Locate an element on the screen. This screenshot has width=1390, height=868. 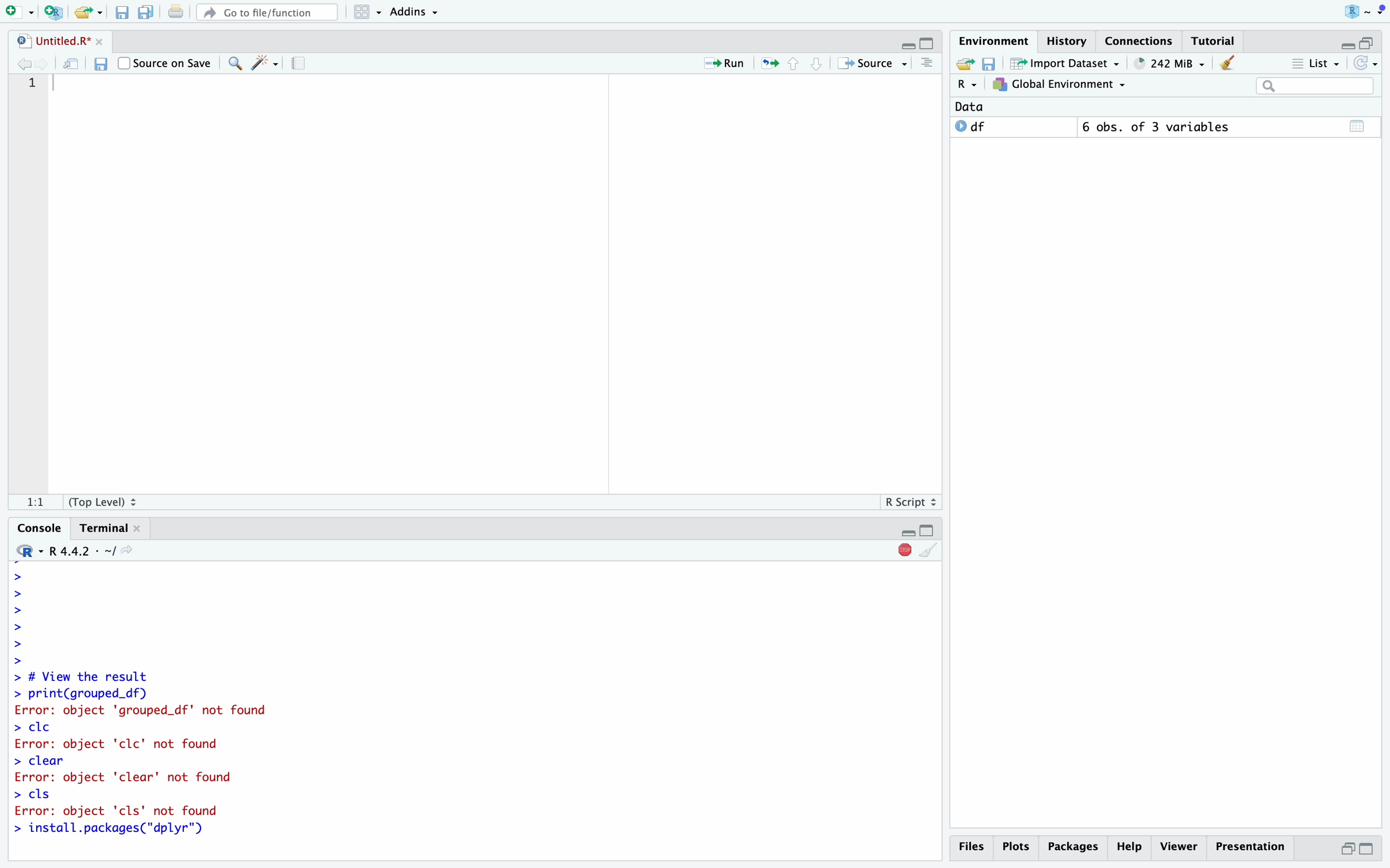
Open in new window is located at coordinates (73, 64).